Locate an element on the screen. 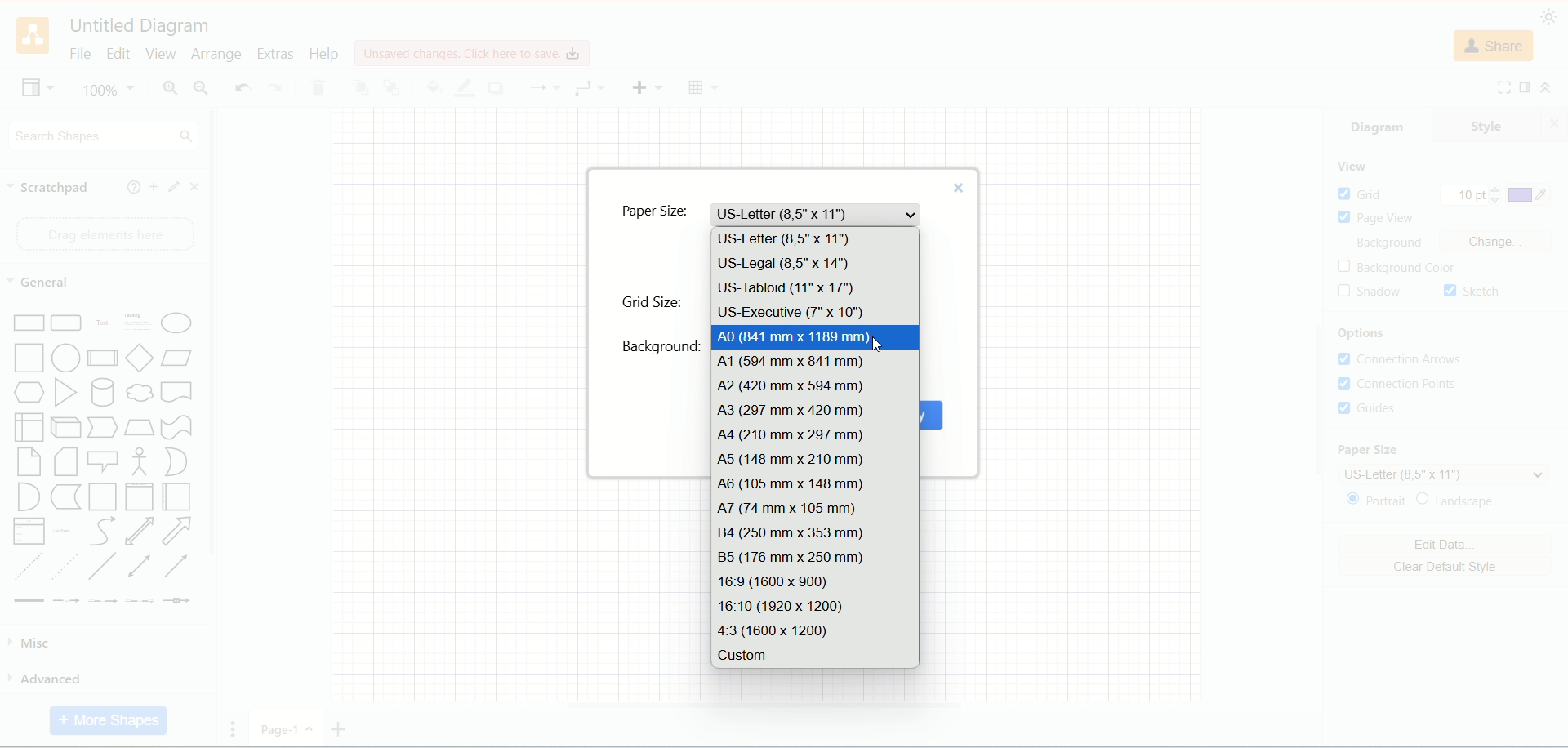 Image resolution: width=1568 pixels, height=748 pixels. Directional Connector is located at coordinates (177, 567).